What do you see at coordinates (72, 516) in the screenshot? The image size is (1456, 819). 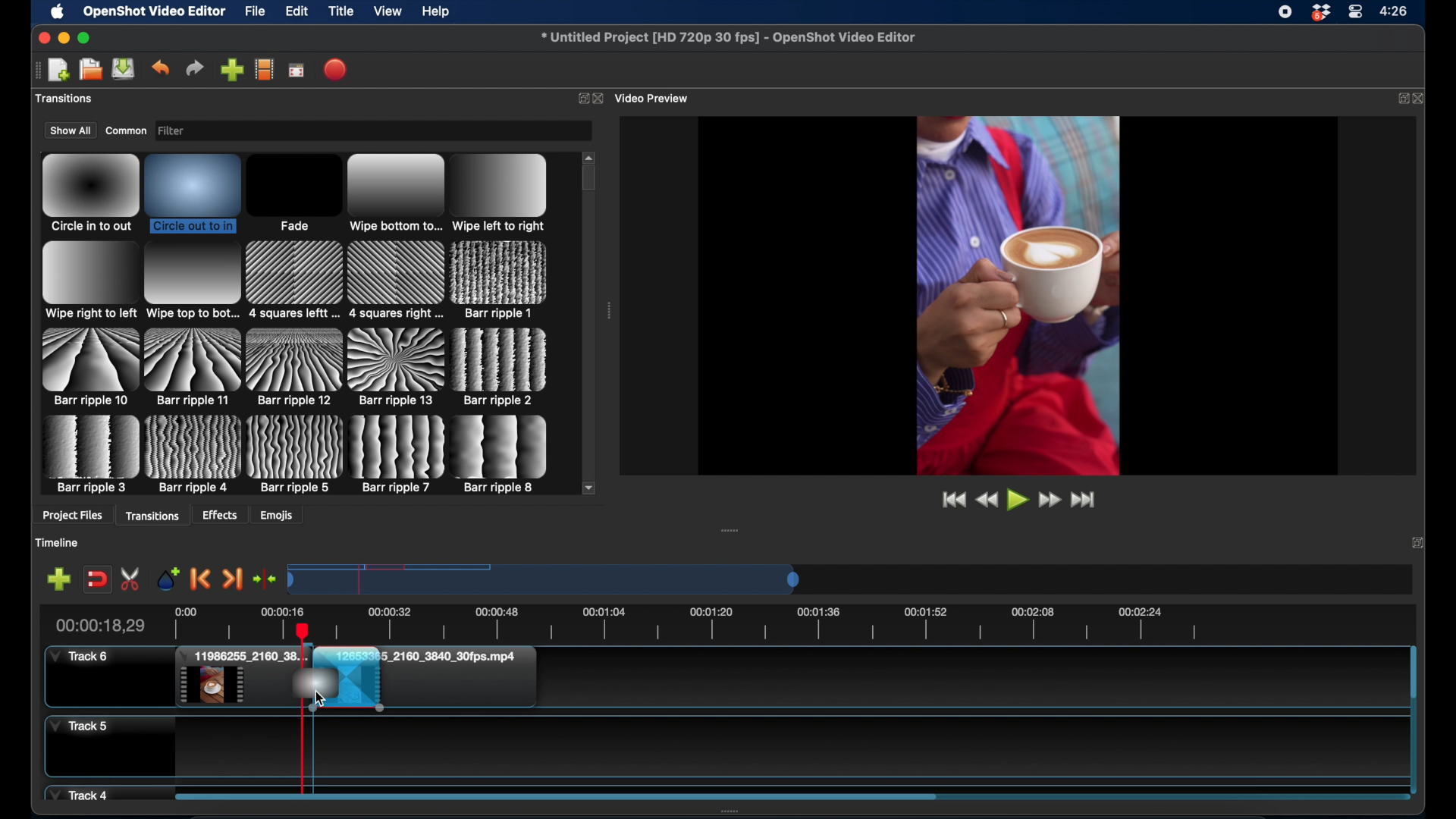 I see `project files` at bounding box center [72, 516].